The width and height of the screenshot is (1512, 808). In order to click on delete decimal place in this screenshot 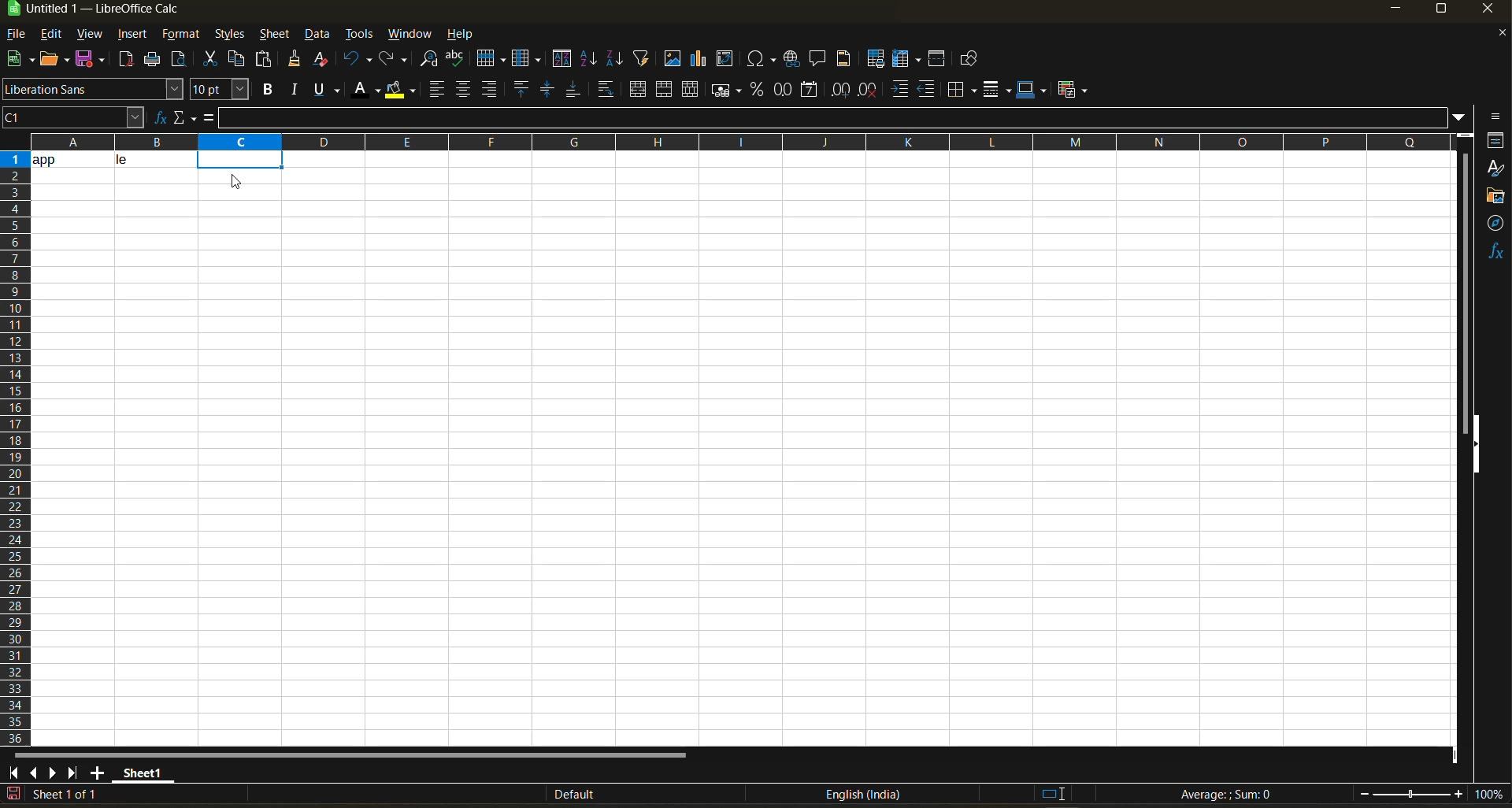, I will do `click(869, 90)`.